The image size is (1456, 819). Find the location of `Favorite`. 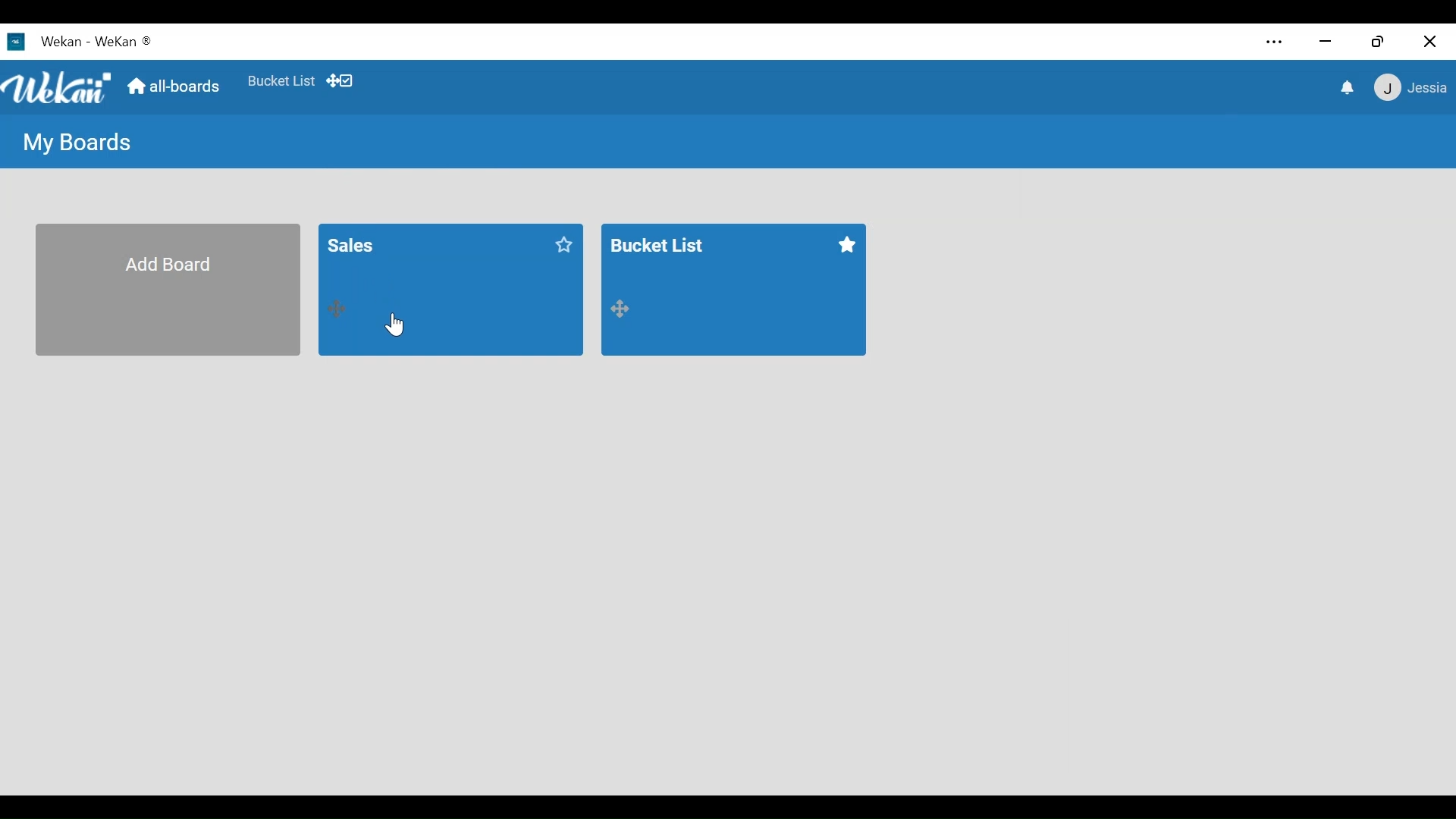

Favorite is located at coordinates (281, 82).